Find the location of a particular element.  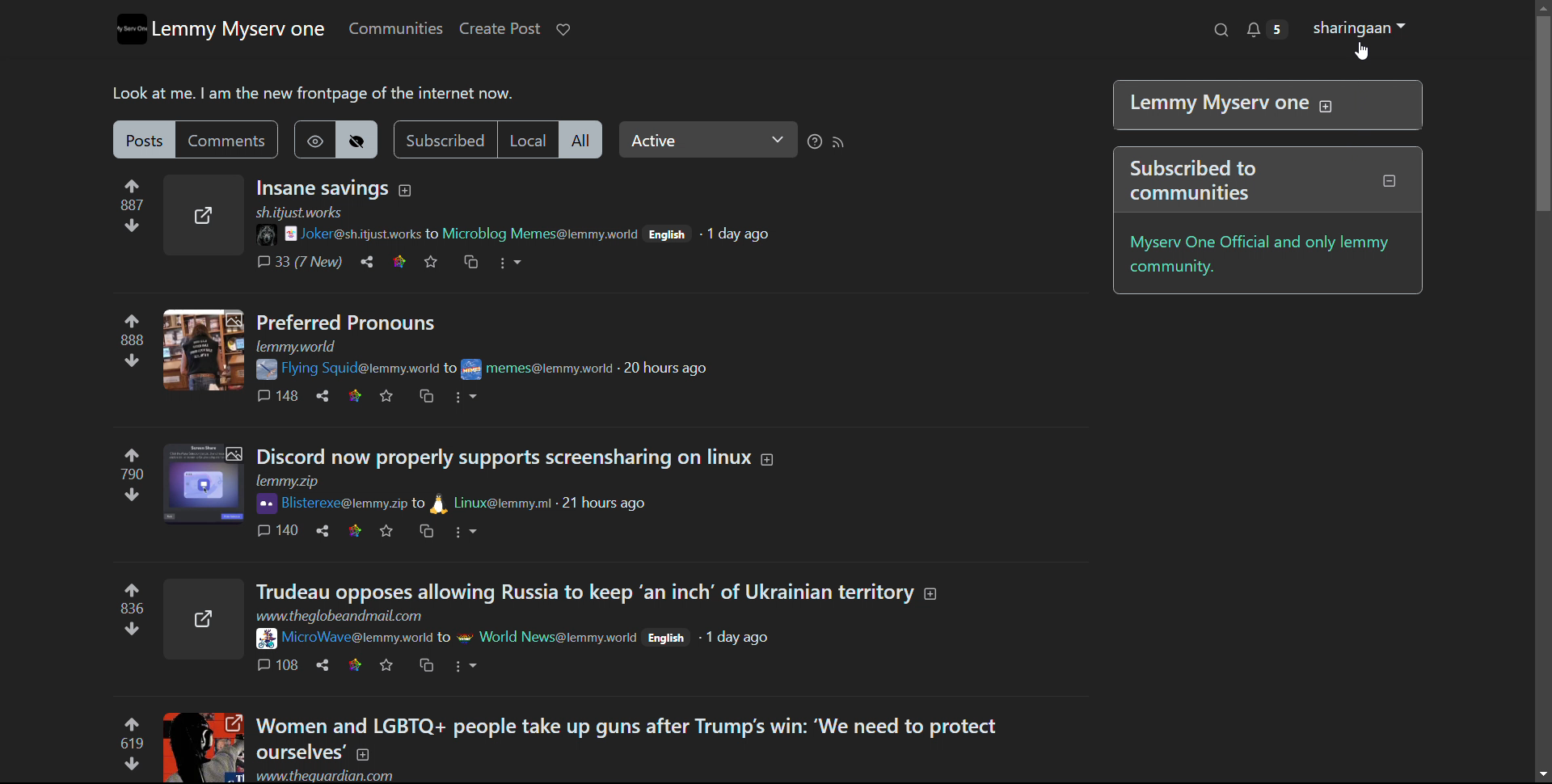

Subscribed to
communities is located at coordinates (1198, 180).